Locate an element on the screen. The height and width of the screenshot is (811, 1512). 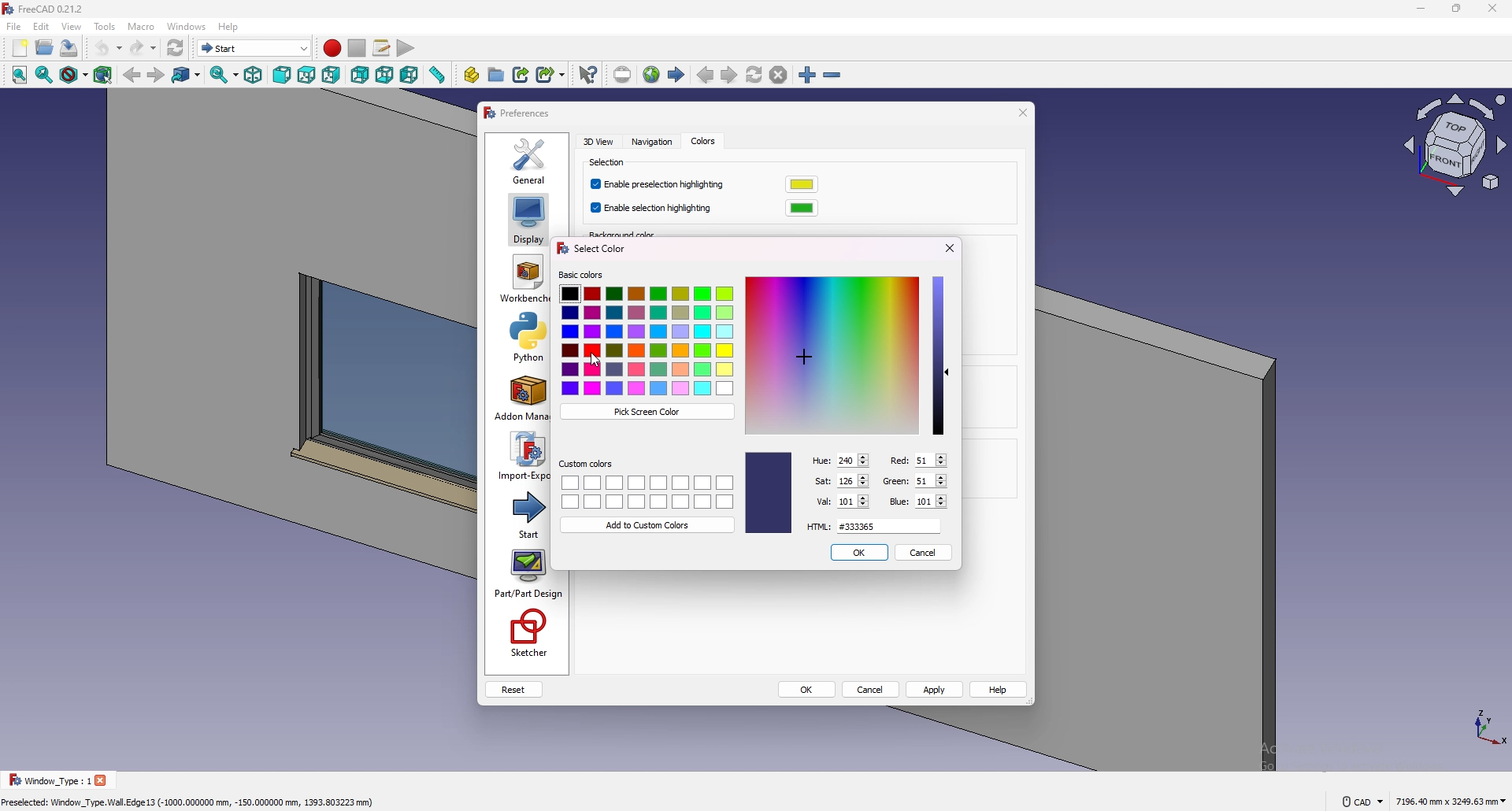
custom color slots is located at coordinates (647, 491).